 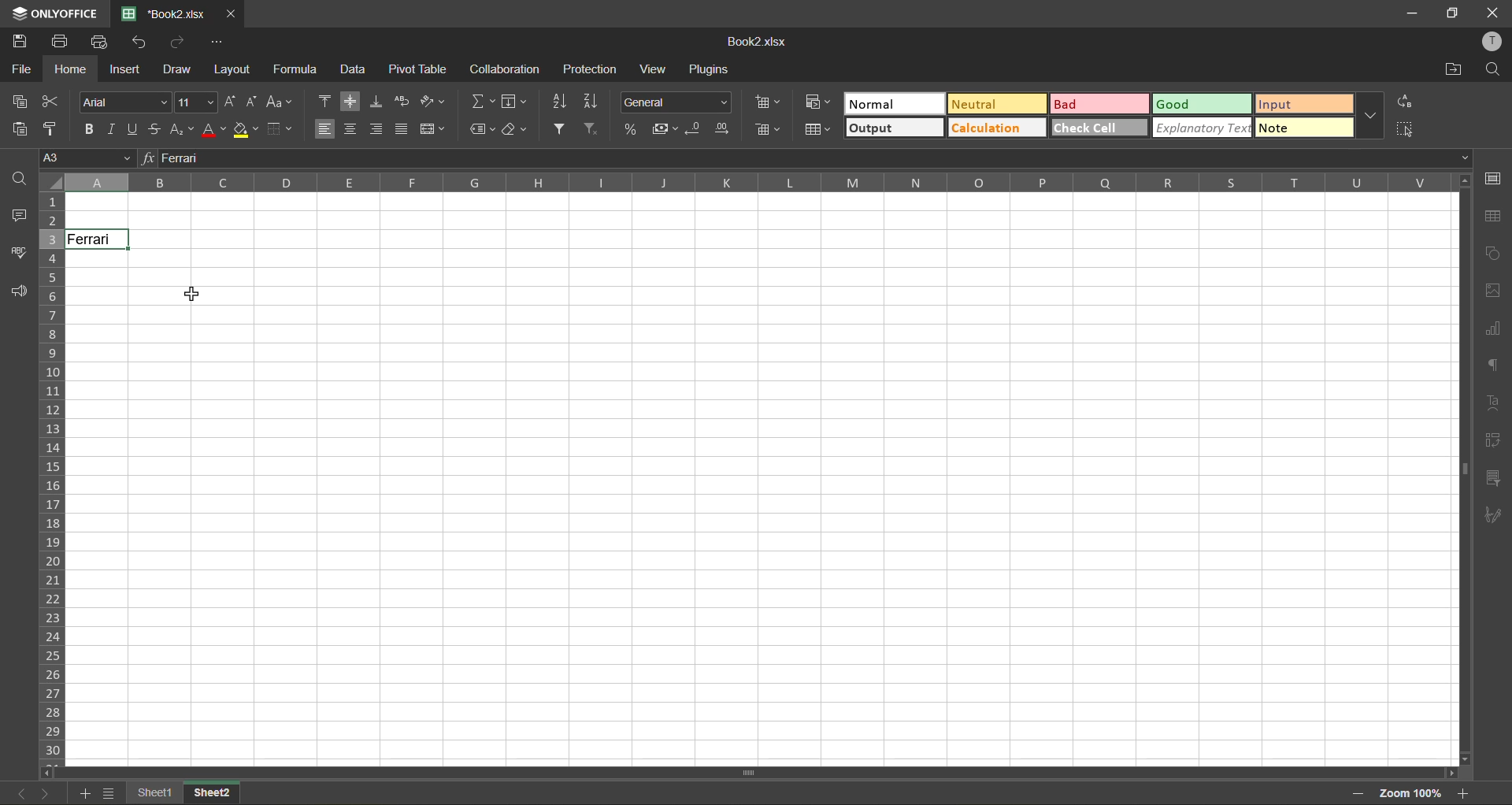 What do you see at coordinates (1303, 106) in the screenshot?
I see `input` at bounding box center [1303, 106].